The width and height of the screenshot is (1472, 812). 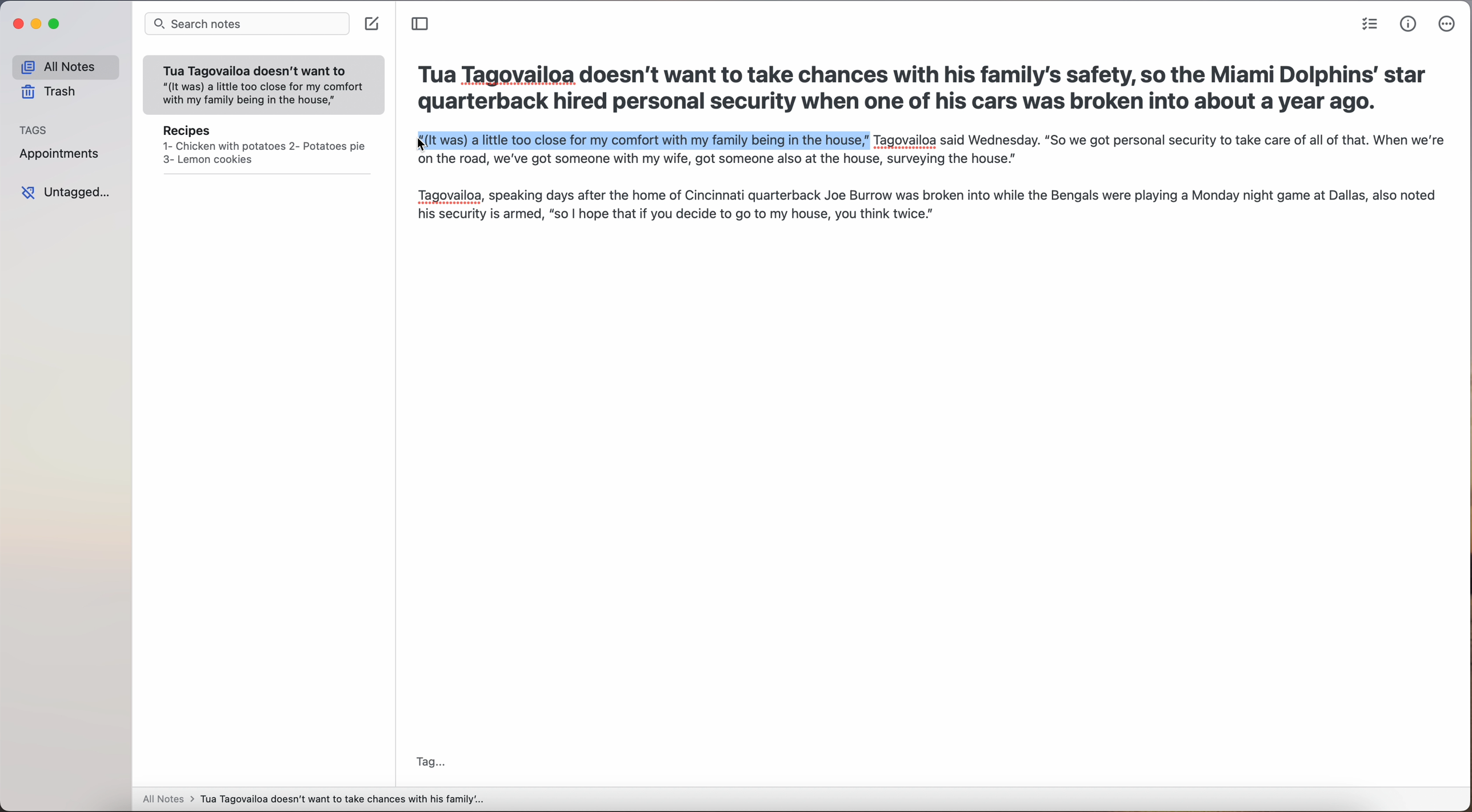 What do you see at coordinates (34, 129) in the screenshot?
I see `tags` at bounding box center [34, 129].